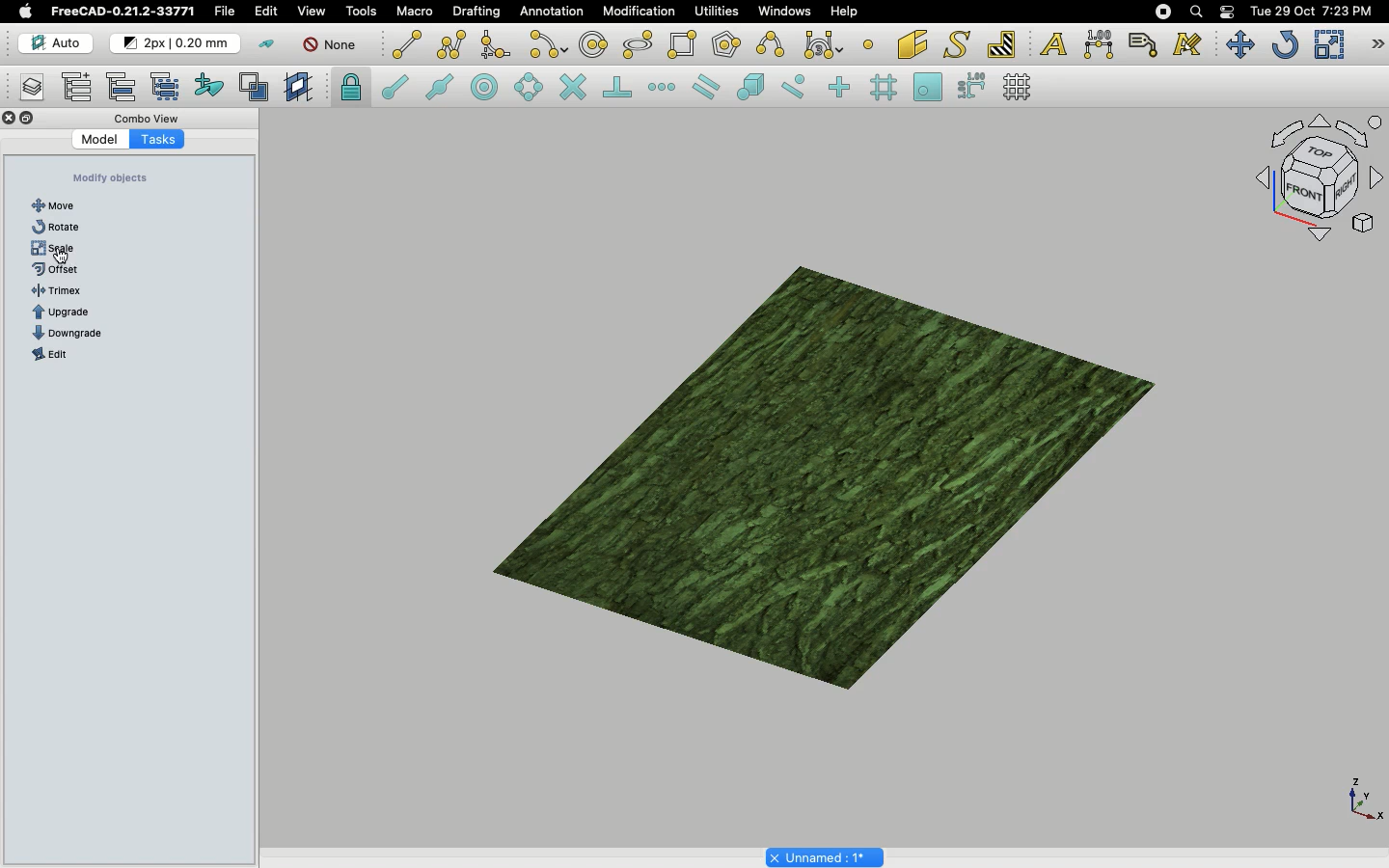 The height and width of the screenshot is (868, 1389). What do you see at coordinates (60, 311) in the screenshot?
I see `B-spline` at bounding box center [60, 311].